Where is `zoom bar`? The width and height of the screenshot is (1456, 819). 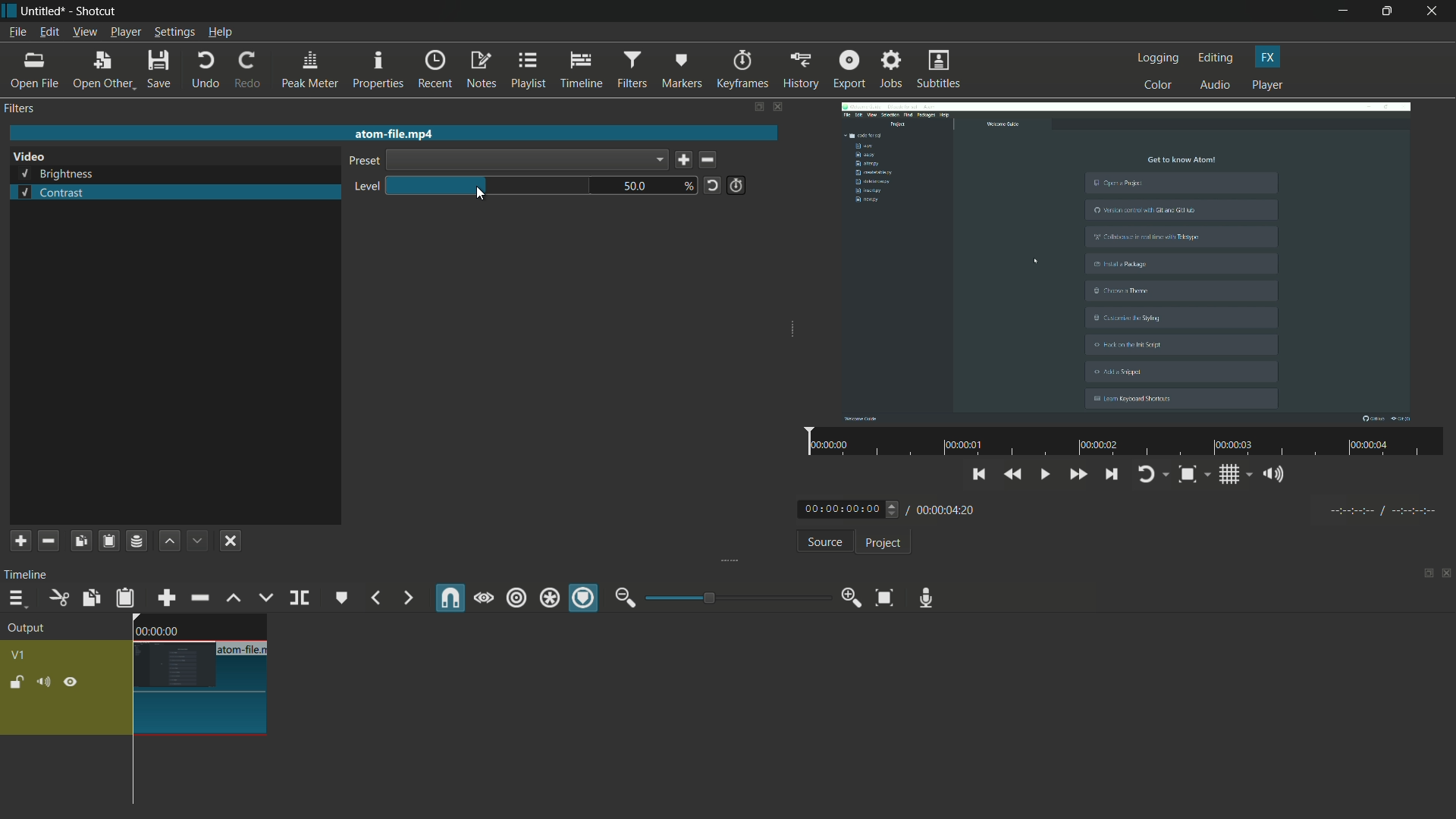 zoom bar is located at coordinates (732, 597).